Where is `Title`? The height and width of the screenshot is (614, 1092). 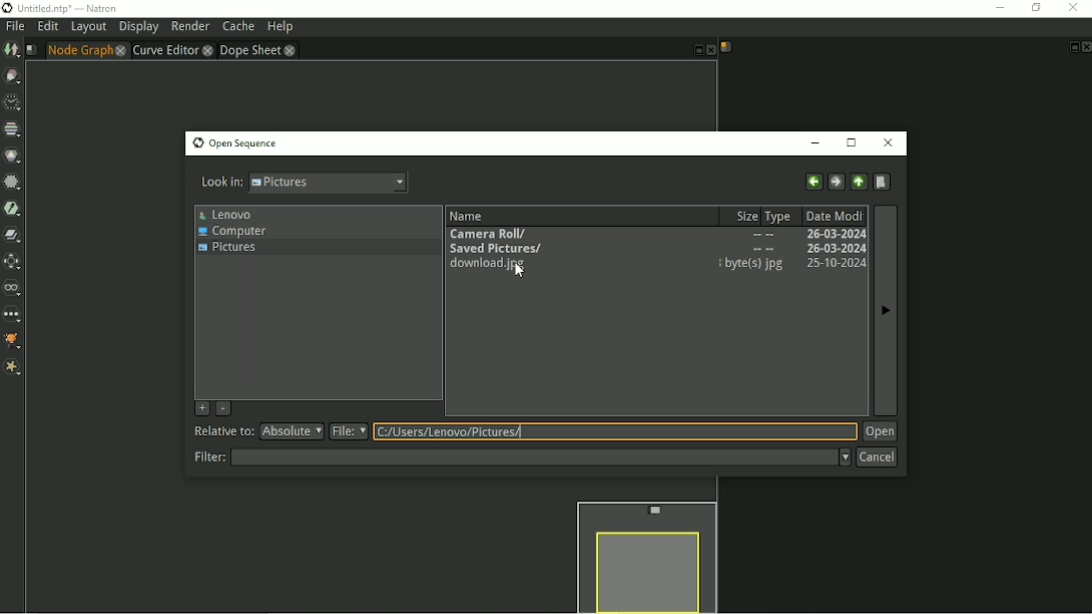
Title is located at coordinates (61, 8).